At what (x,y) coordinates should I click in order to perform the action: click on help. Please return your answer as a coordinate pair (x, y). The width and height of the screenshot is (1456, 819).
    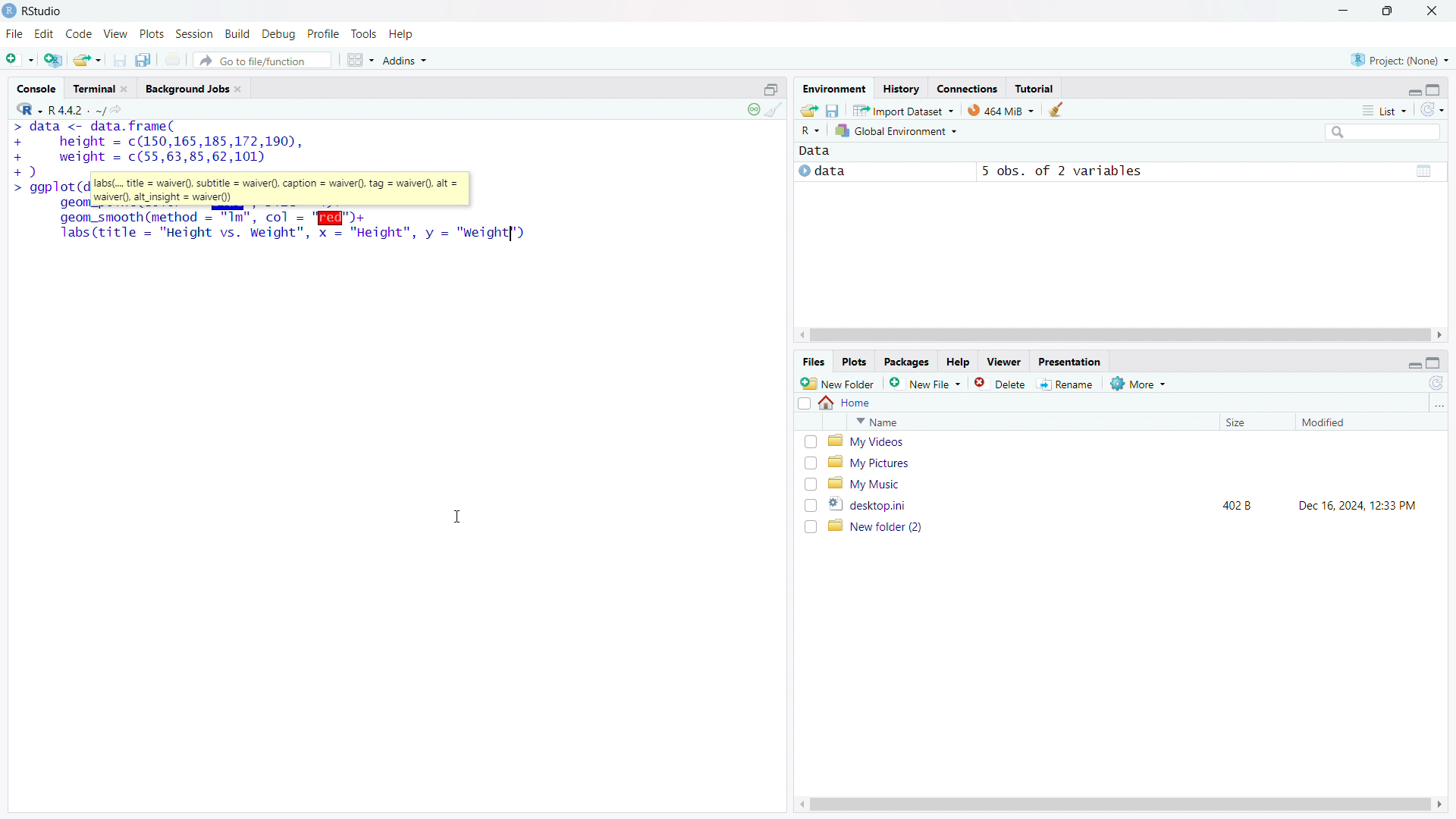
    Looking at the image, I should click on (958, 362).